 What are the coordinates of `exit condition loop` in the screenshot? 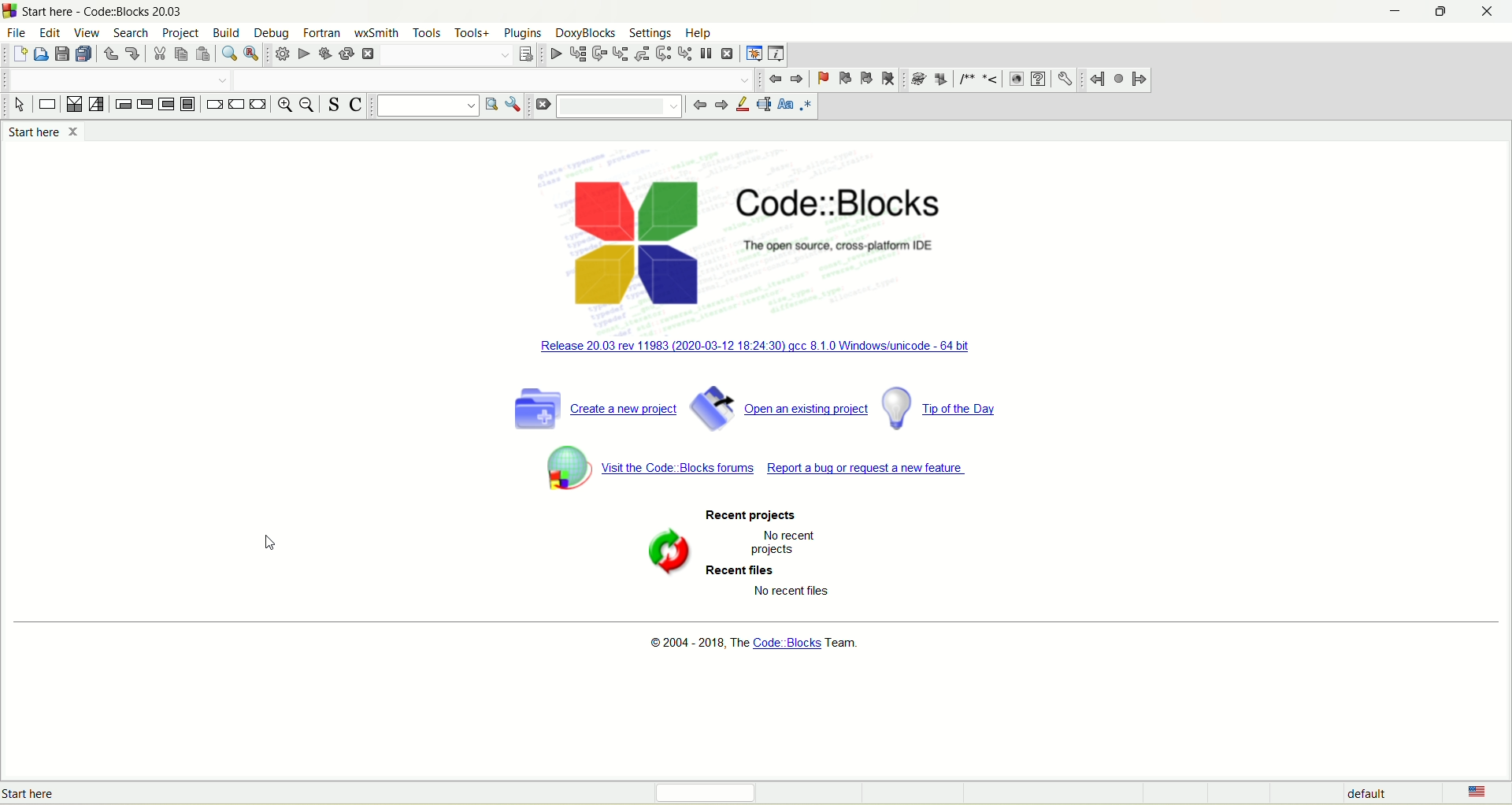 It's located at (146, 103).